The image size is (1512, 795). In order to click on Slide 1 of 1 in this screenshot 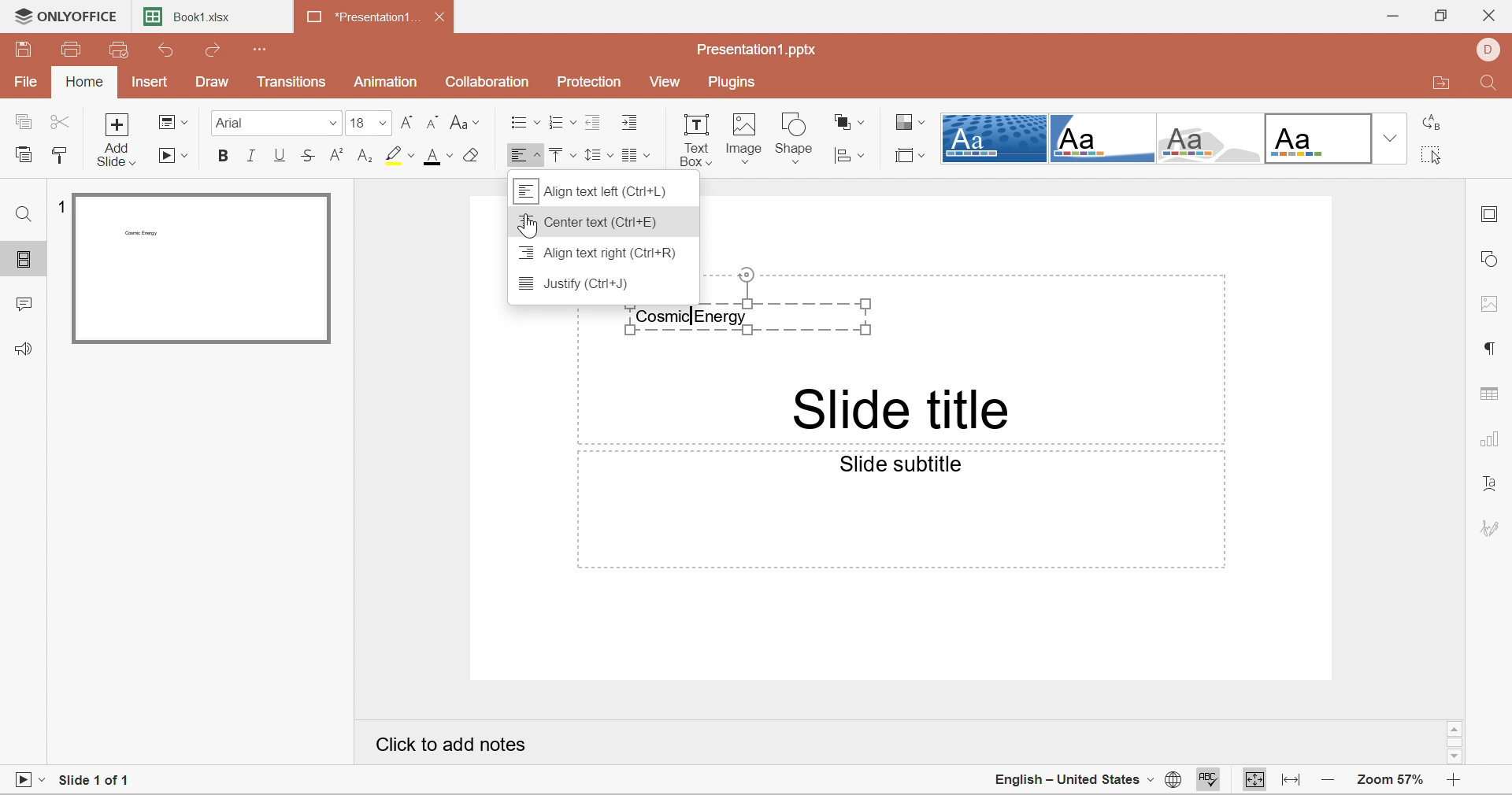, I will do `click(100, 779)`.